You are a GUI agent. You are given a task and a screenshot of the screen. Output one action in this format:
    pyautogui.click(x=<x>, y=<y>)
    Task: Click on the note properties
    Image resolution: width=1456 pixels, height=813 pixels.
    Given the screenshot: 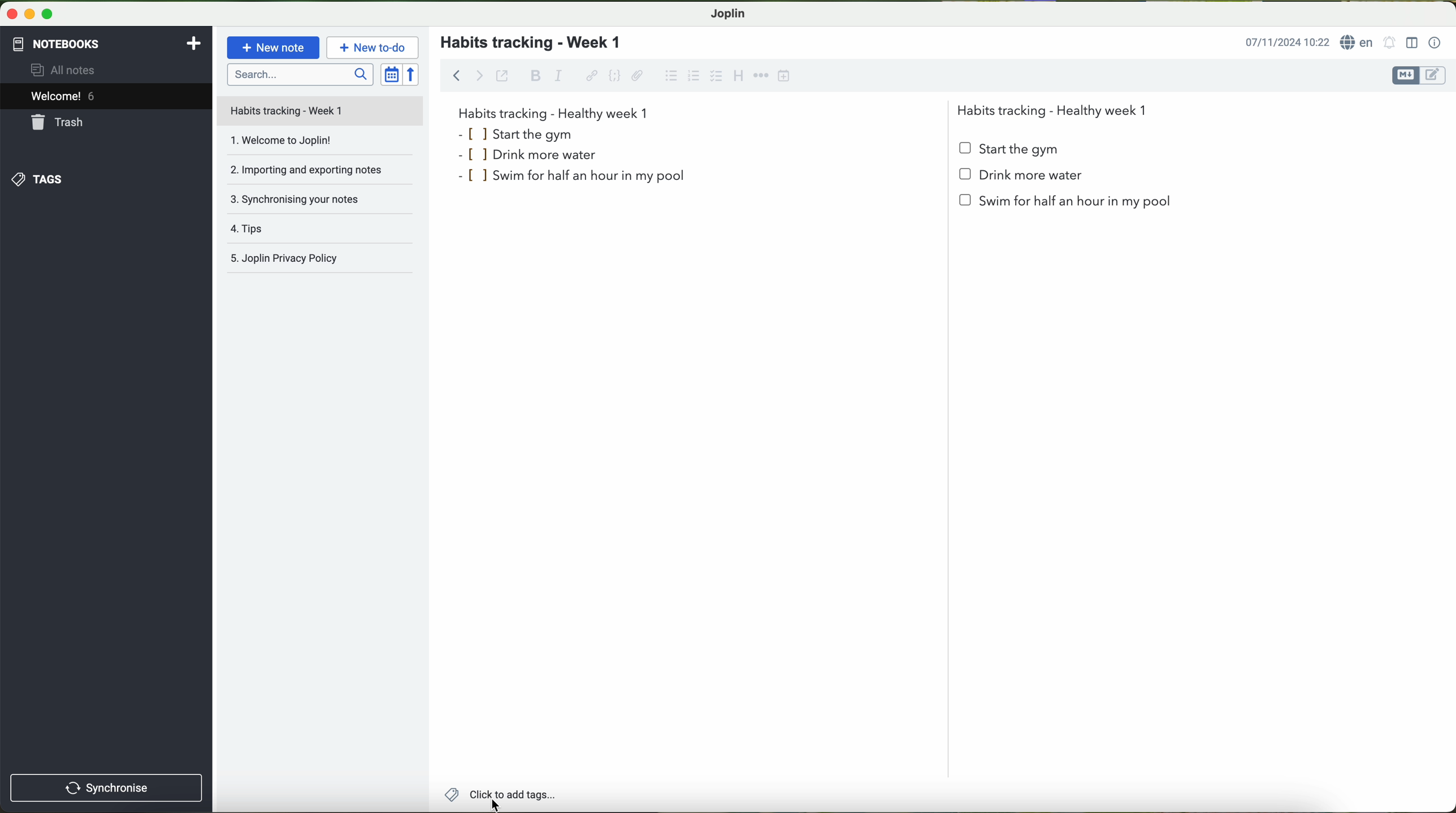 What is the action you would take?
    pyautogui.click(x=1436, y=44)
    